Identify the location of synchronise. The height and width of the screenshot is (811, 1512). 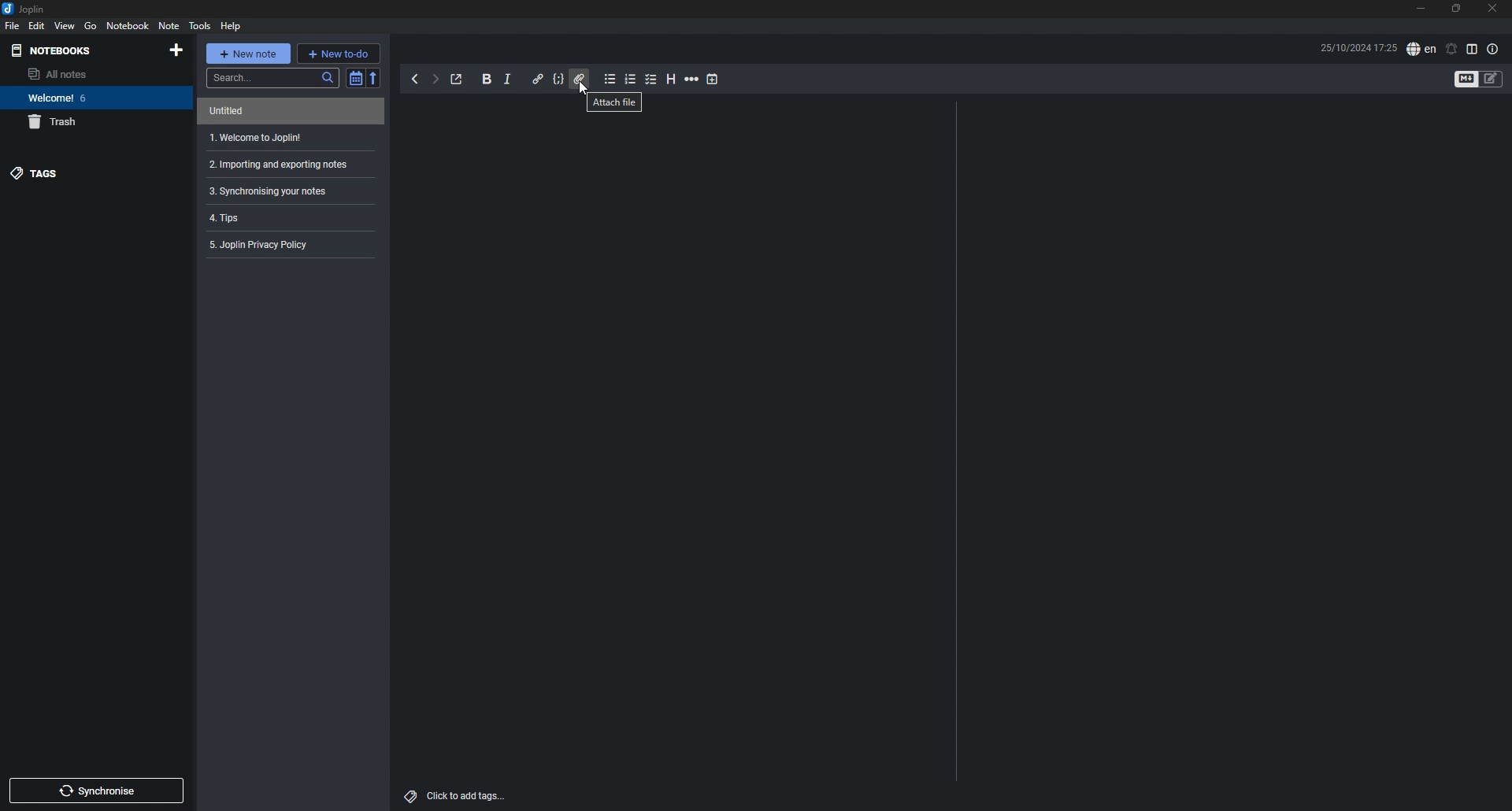
(95, 791).